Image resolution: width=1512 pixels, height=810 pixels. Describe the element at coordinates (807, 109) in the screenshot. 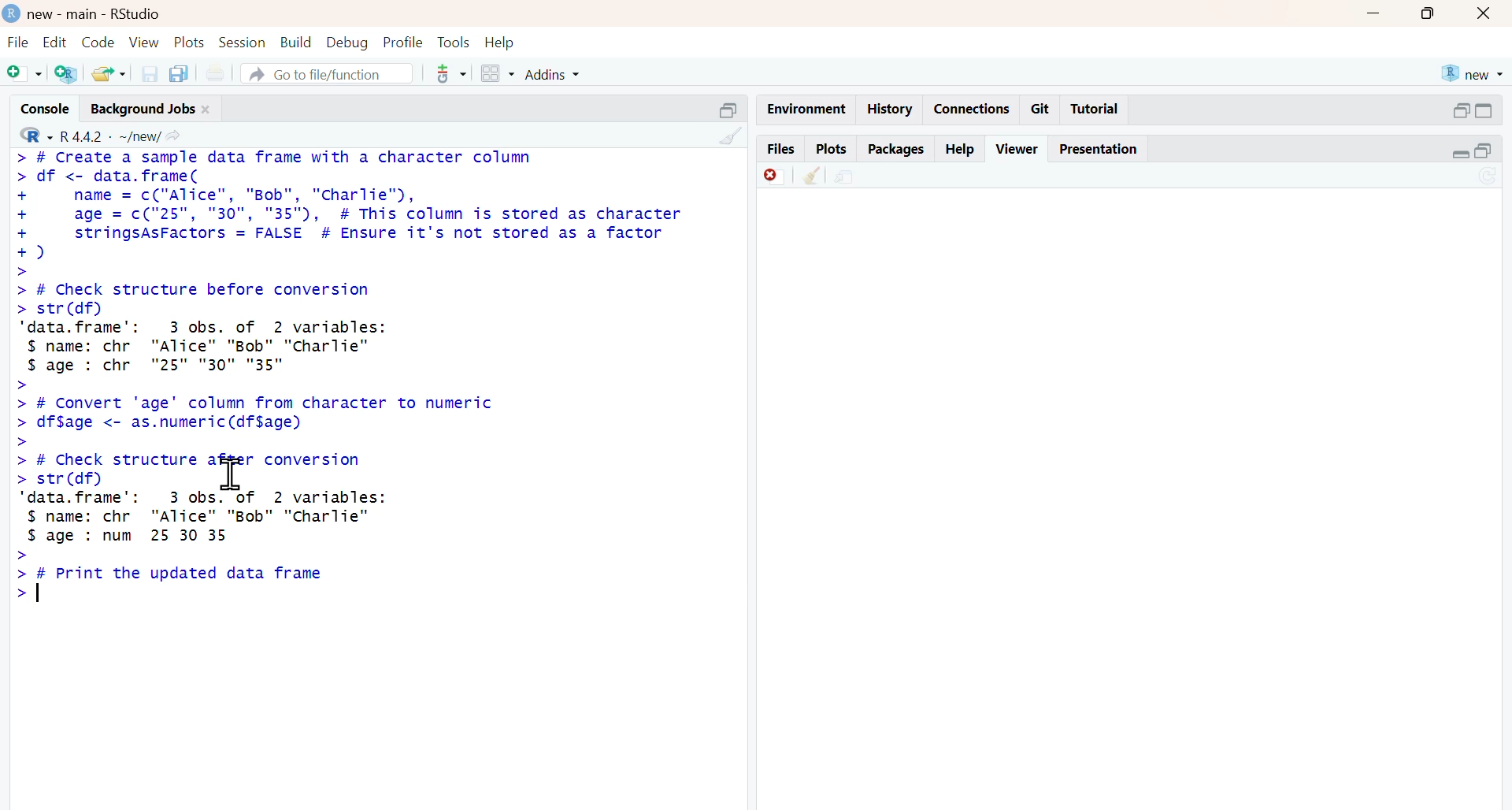

I see `Environment ` at that location.